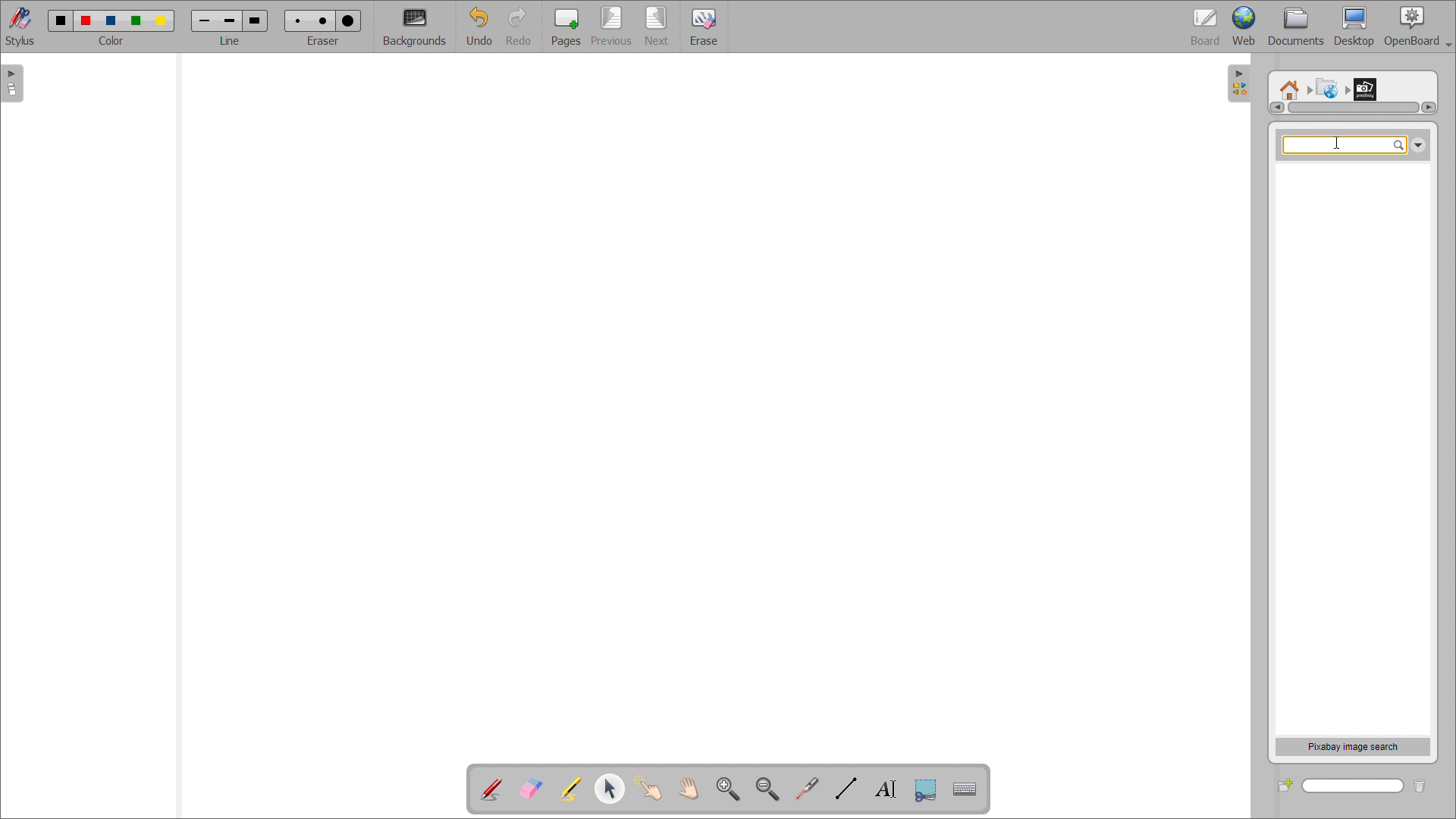 The height and width of the screenshot is (819, 1456). I want to click on delete, so click(1426, 784).